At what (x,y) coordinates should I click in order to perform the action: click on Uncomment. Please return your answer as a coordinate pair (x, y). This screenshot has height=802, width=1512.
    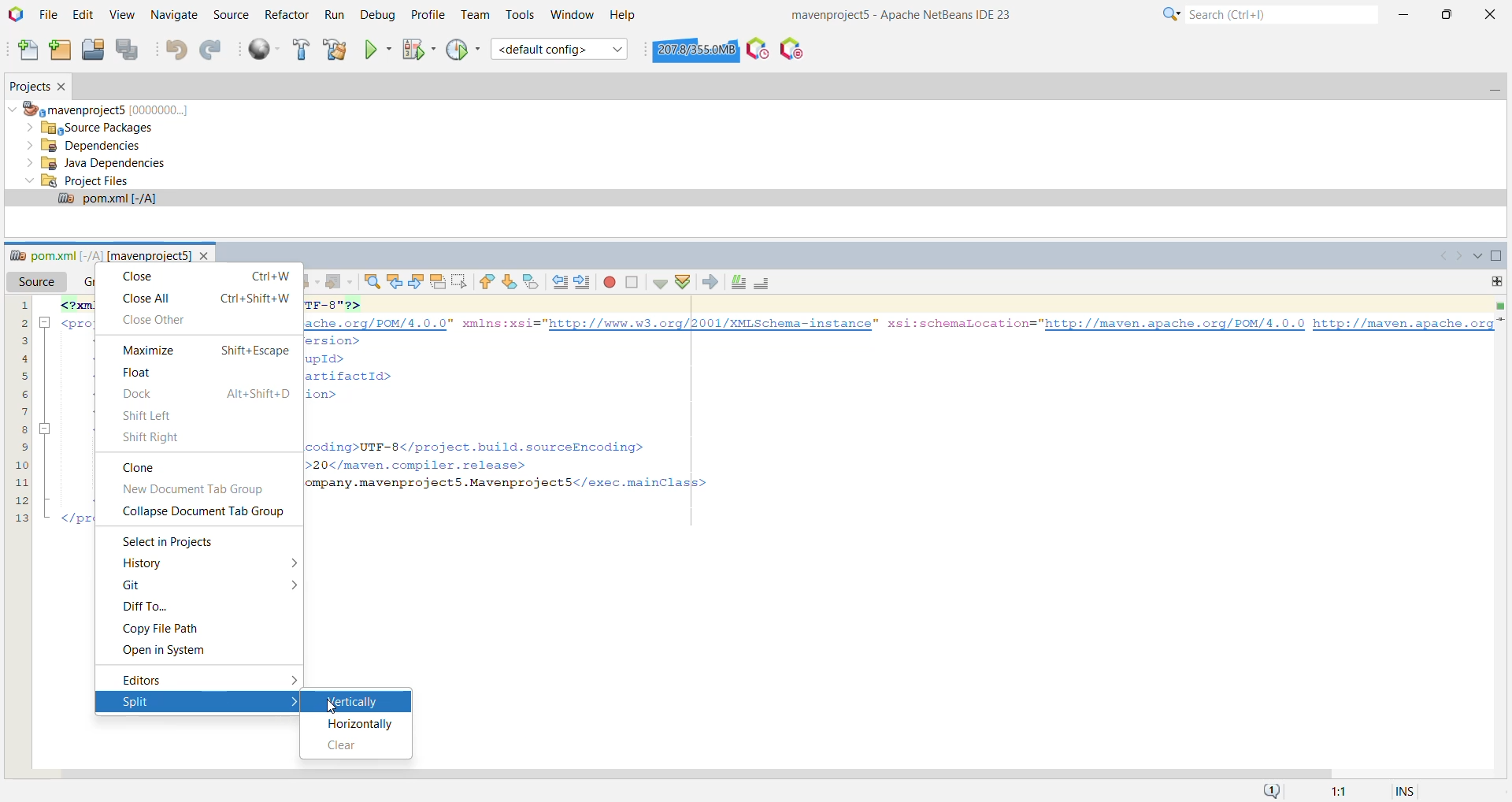
    Looking at the image, I should click on (761, 282).